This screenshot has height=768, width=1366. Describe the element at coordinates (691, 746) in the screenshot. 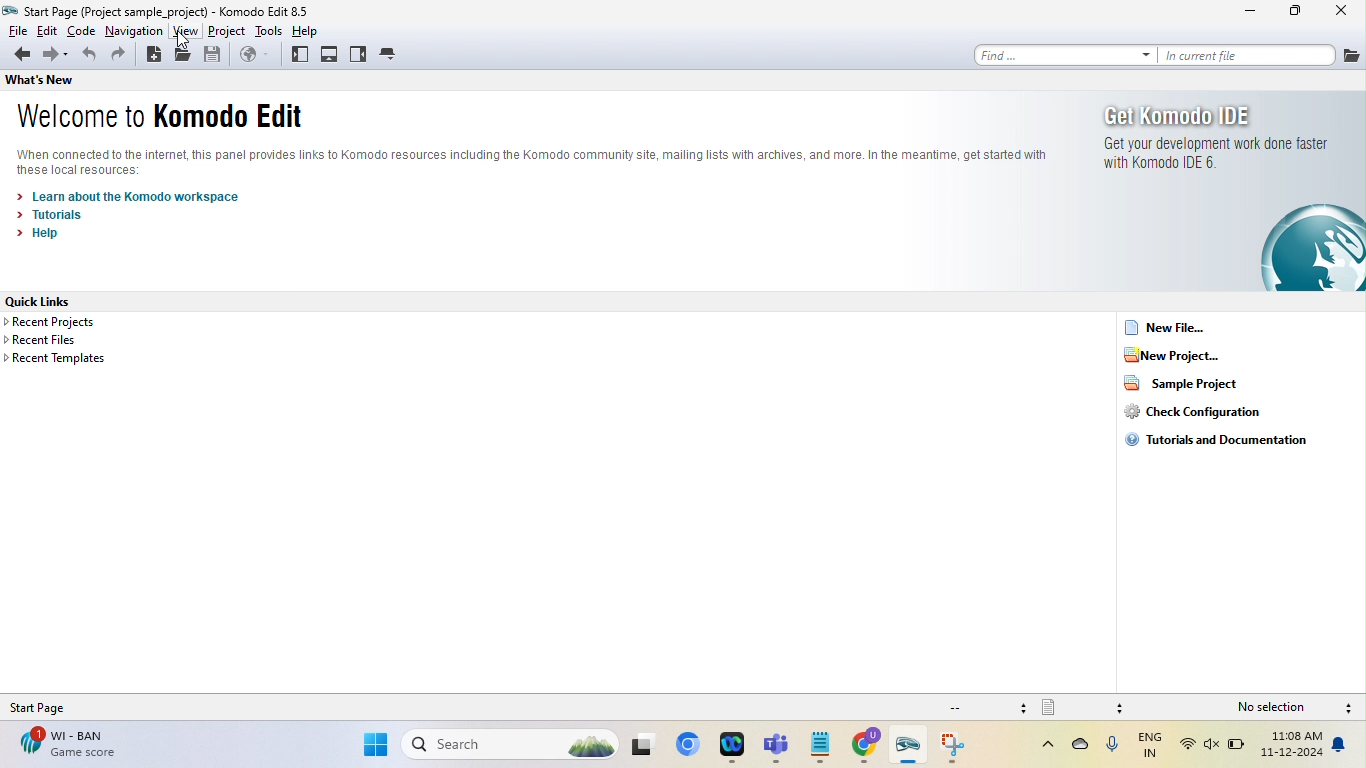

I see `apps on taskbar` at that location.